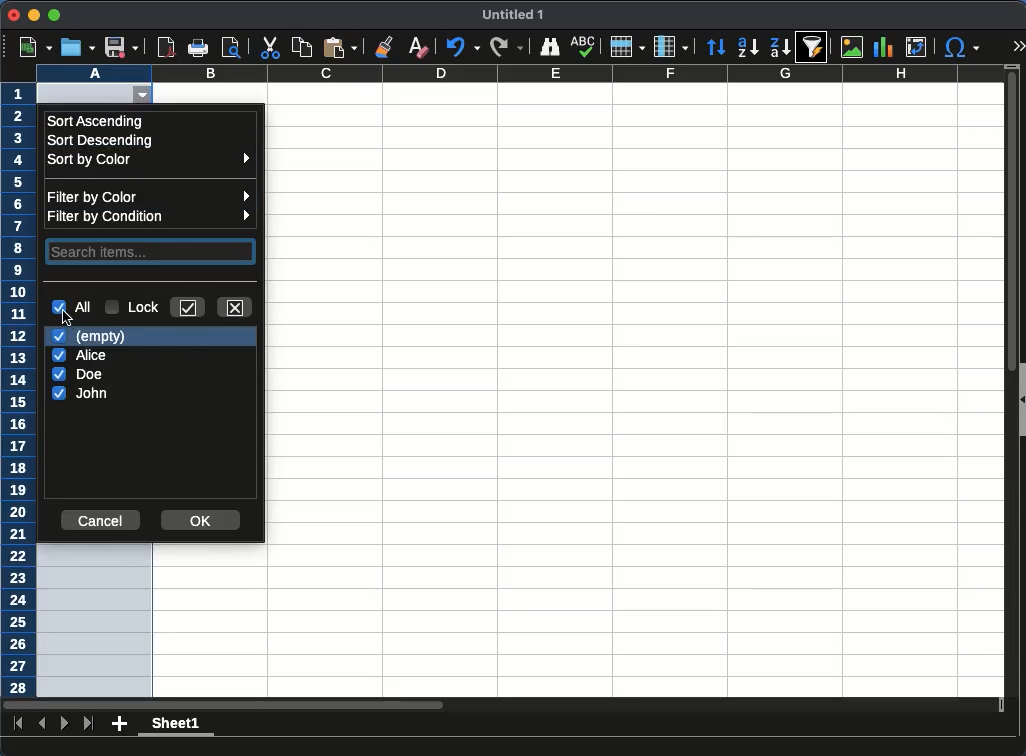 The height and width of the screenshot is (756, 1026). I want to click on new, so click(37, 48).